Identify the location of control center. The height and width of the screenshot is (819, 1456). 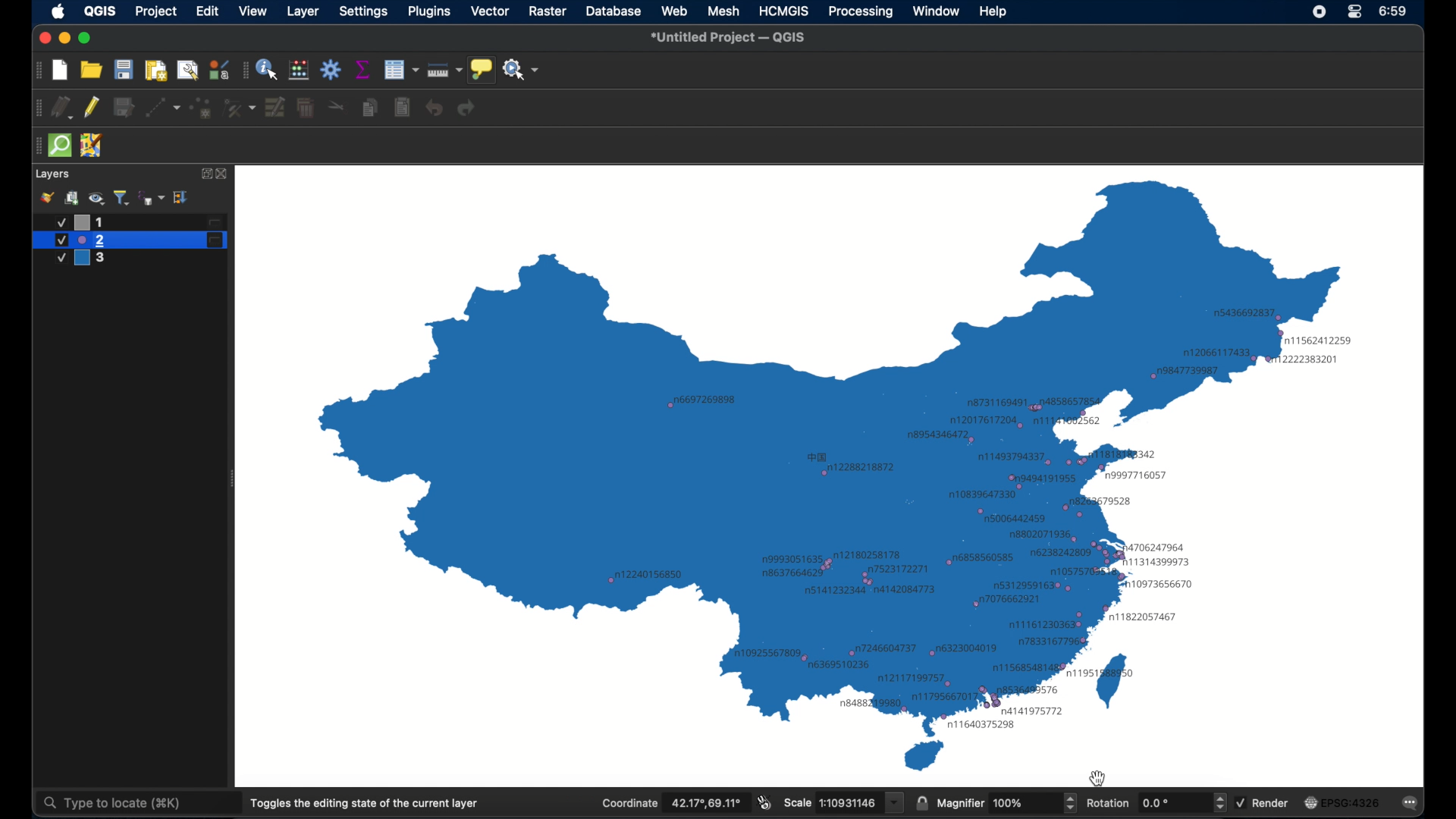
(1356, 11).